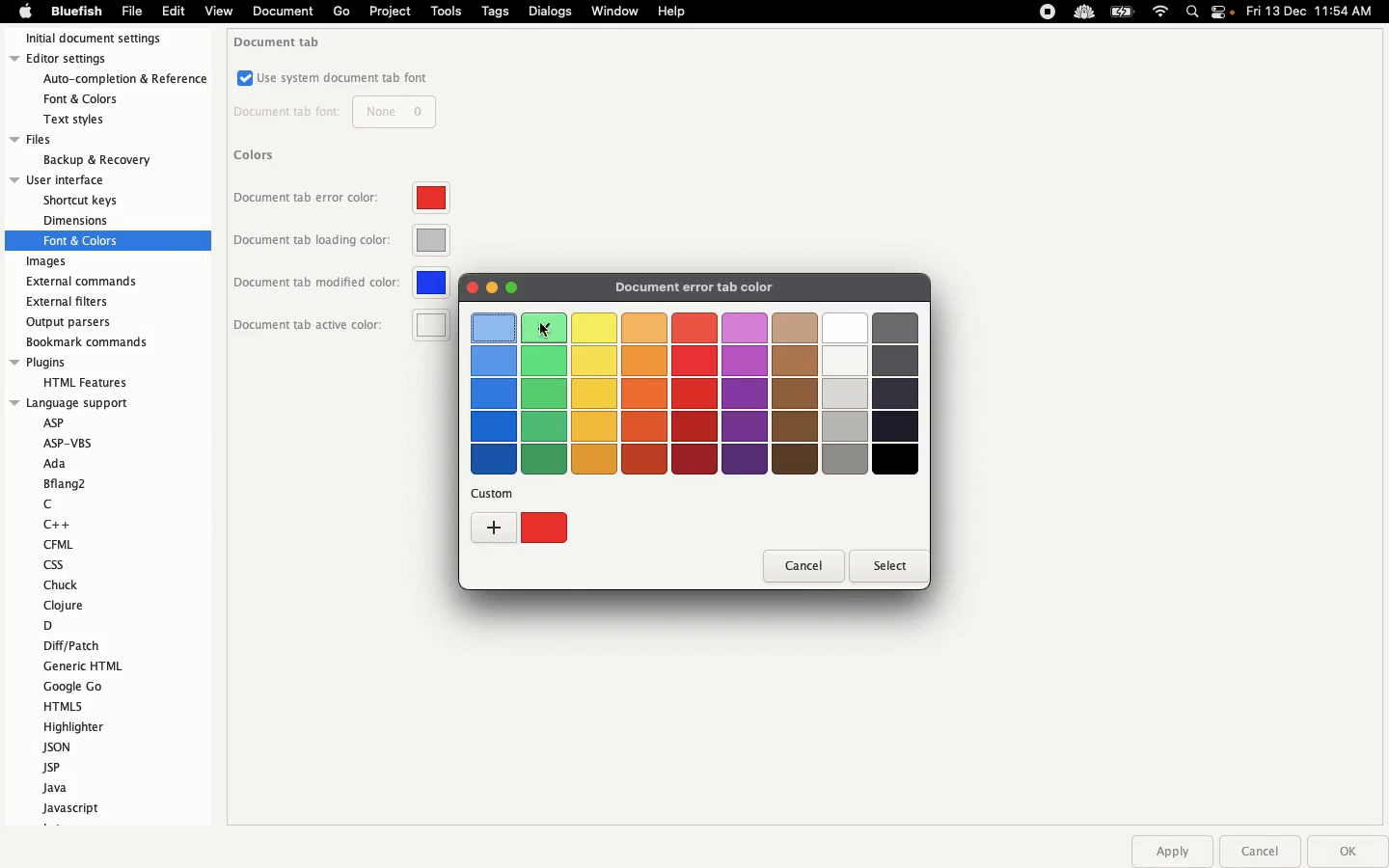  What do you see at coordinates (281, 13) in the screenshot?
I see `document` at bounding box center [281, 13].